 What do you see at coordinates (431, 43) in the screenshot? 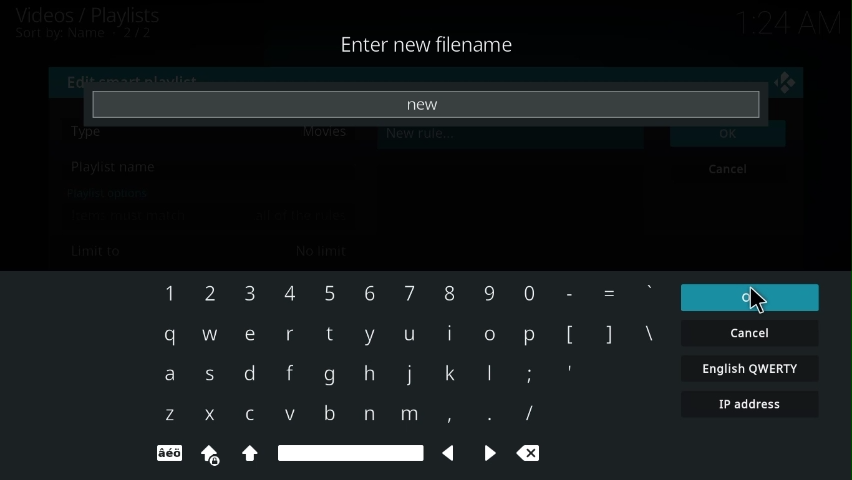
I see `enter new filename` at bounding box center [431, 43].